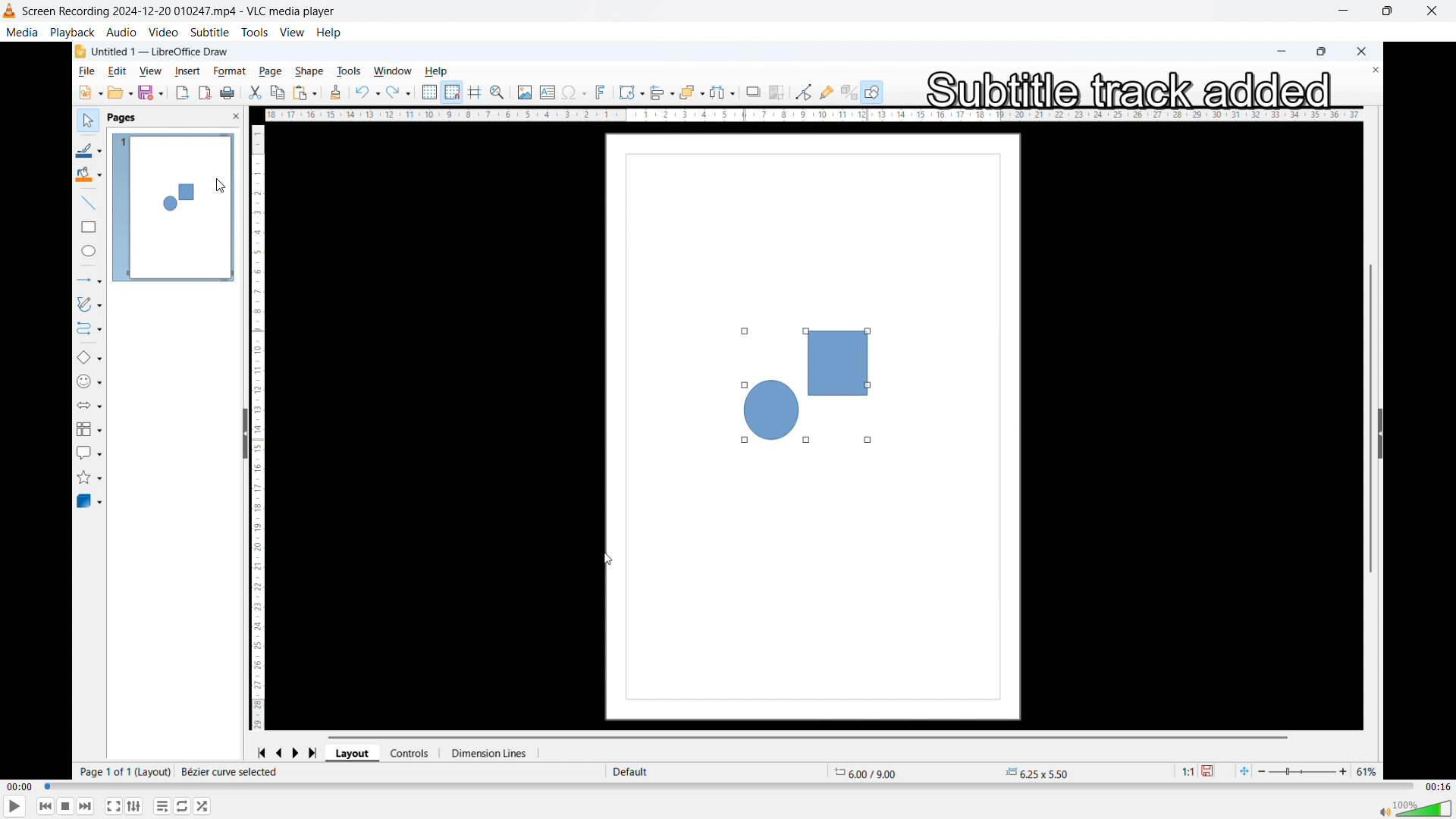 The image size is (1456, 819). What do you see at coordinates (85, 119) in the screenshot?
I see `select ` at bounding box center [85, 119].